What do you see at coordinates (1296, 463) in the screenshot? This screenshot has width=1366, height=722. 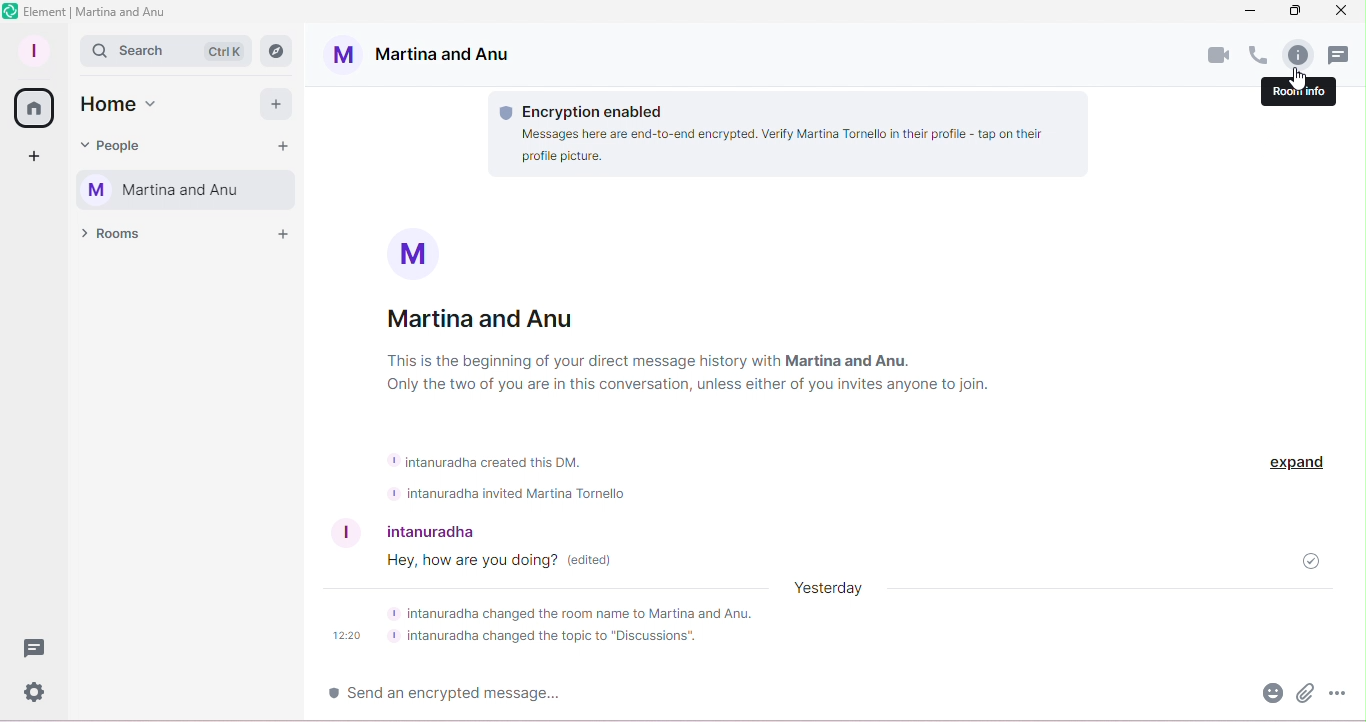 I see `Expand` at bounding box center [1296, 463].